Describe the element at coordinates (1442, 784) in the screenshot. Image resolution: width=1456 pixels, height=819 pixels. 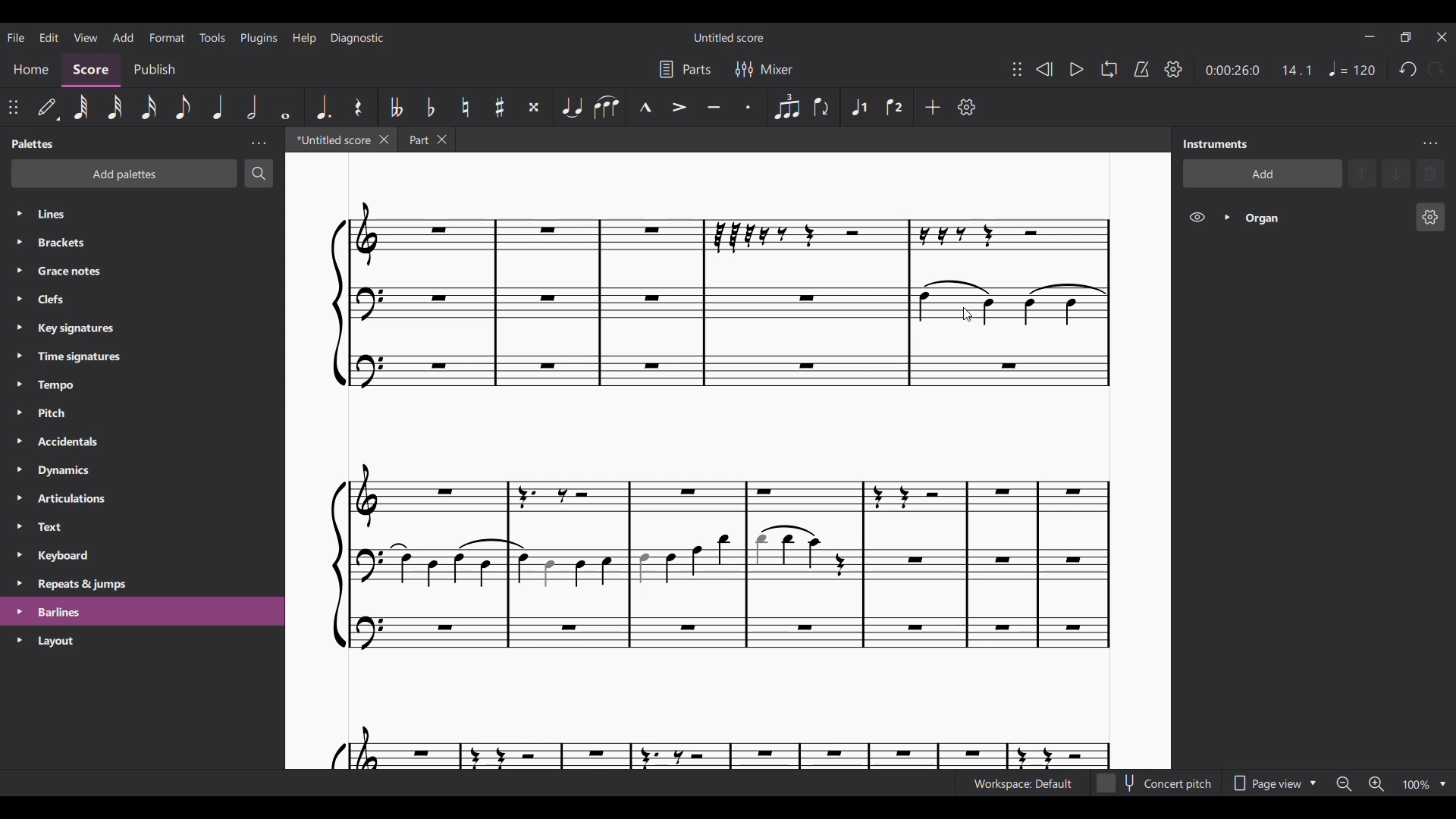
I see `Zoom options` at that location.